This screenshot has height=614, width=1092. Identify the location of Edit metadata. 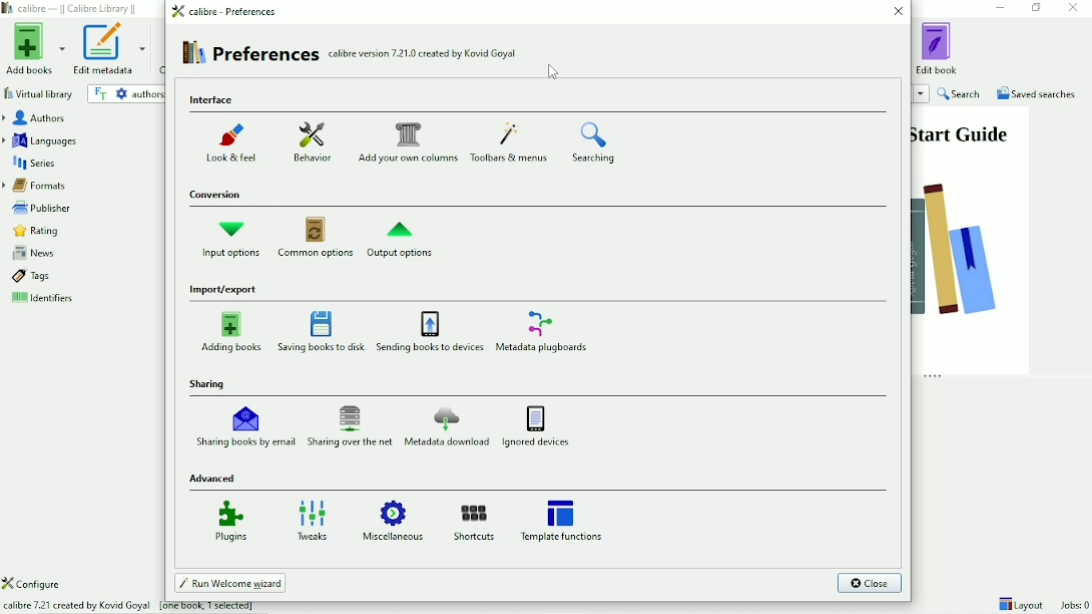
(110, 51).